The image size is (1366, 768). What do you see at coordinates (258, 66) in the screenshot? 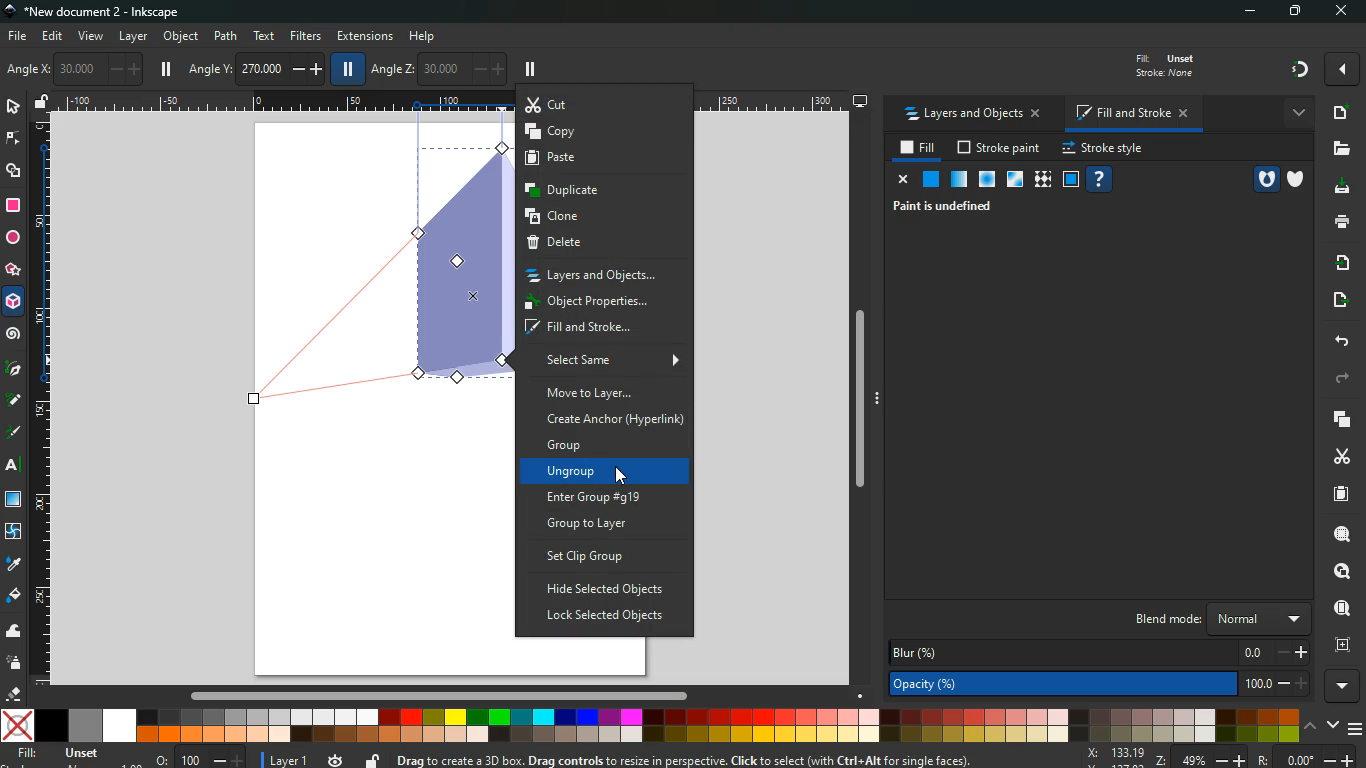
I see `angle y` at bounding box center [258, 66].